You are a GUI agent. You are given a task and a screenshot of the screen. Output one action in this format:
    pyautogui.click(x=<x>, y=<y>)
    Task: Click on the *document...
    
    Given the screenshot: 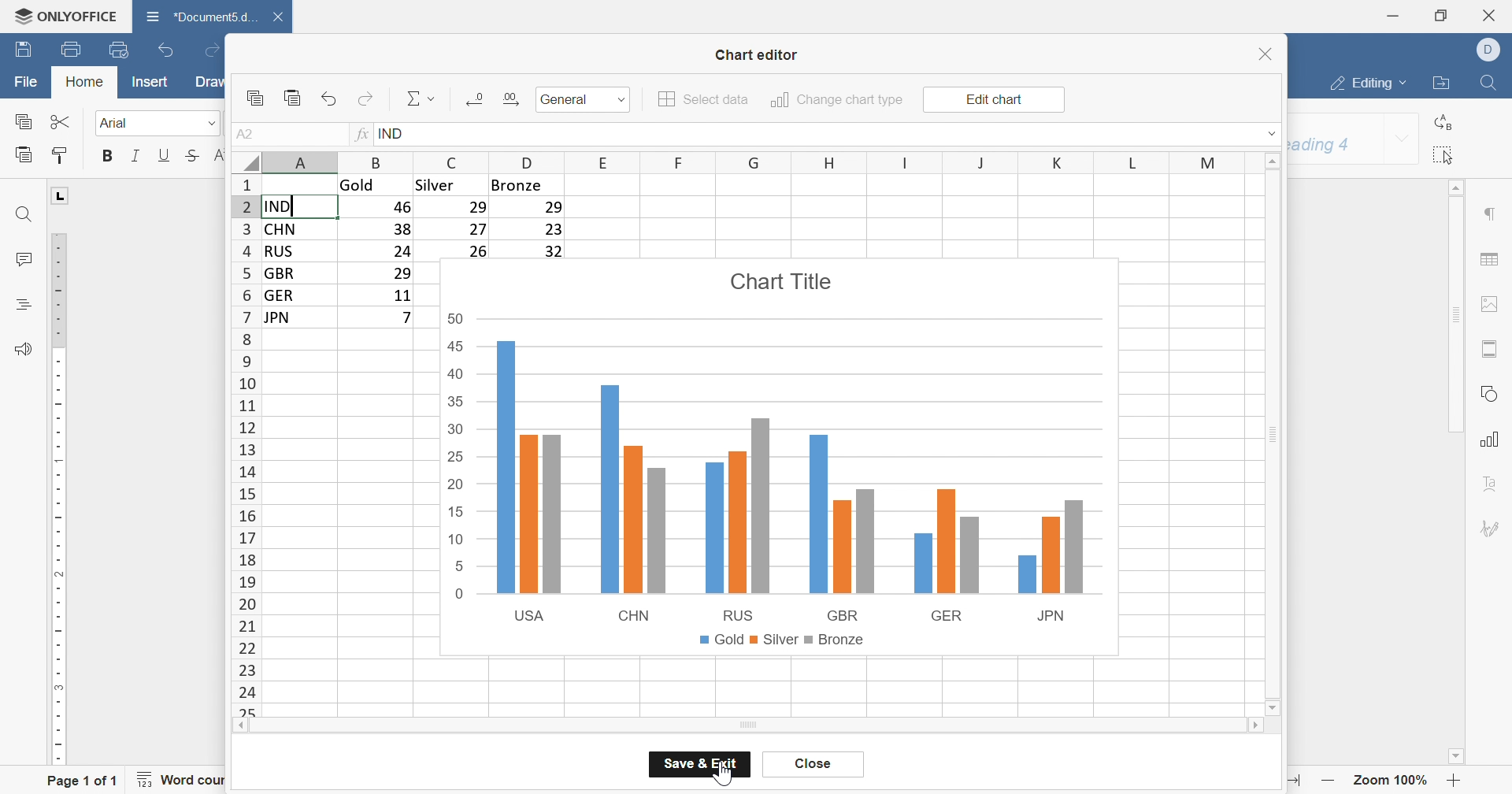 What is the action you would take?
    pyautogui.click(x=198, y=16)
    